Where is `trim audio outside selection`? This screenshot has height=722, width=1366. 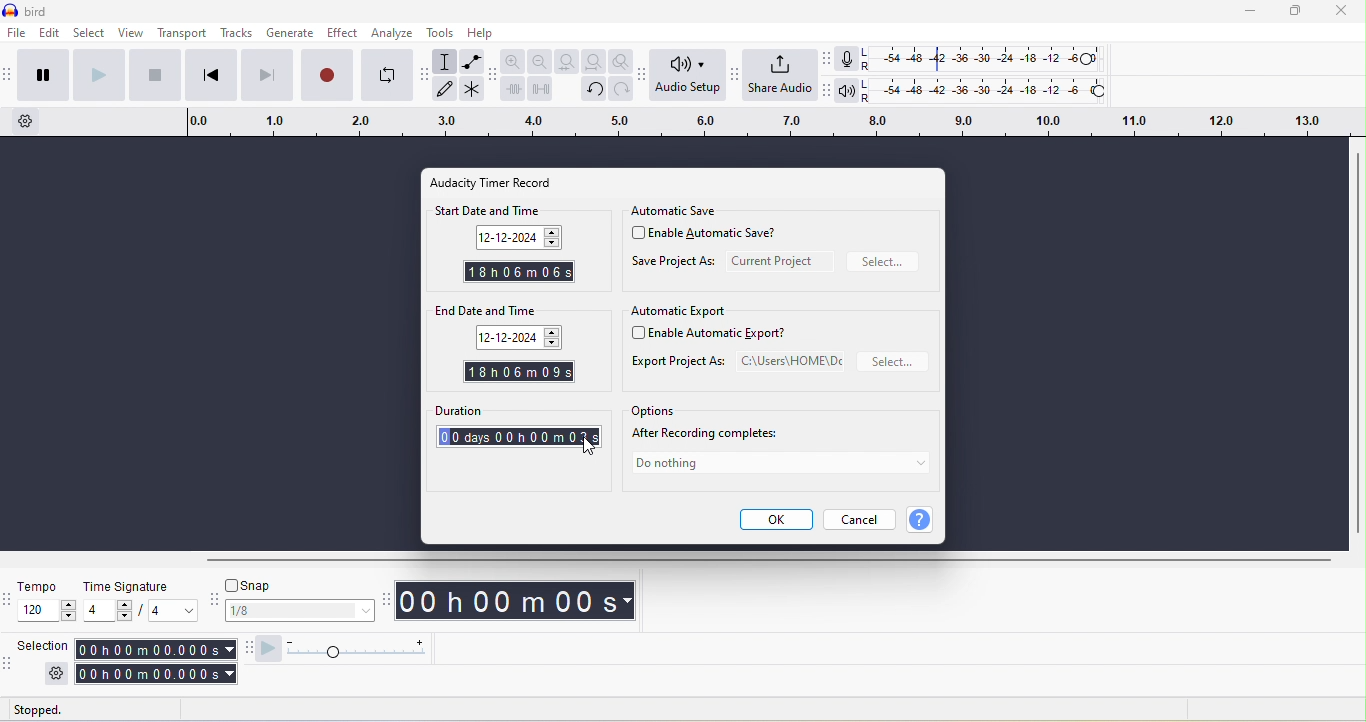 trim audio outside selection is located at coordinates (514, 91).